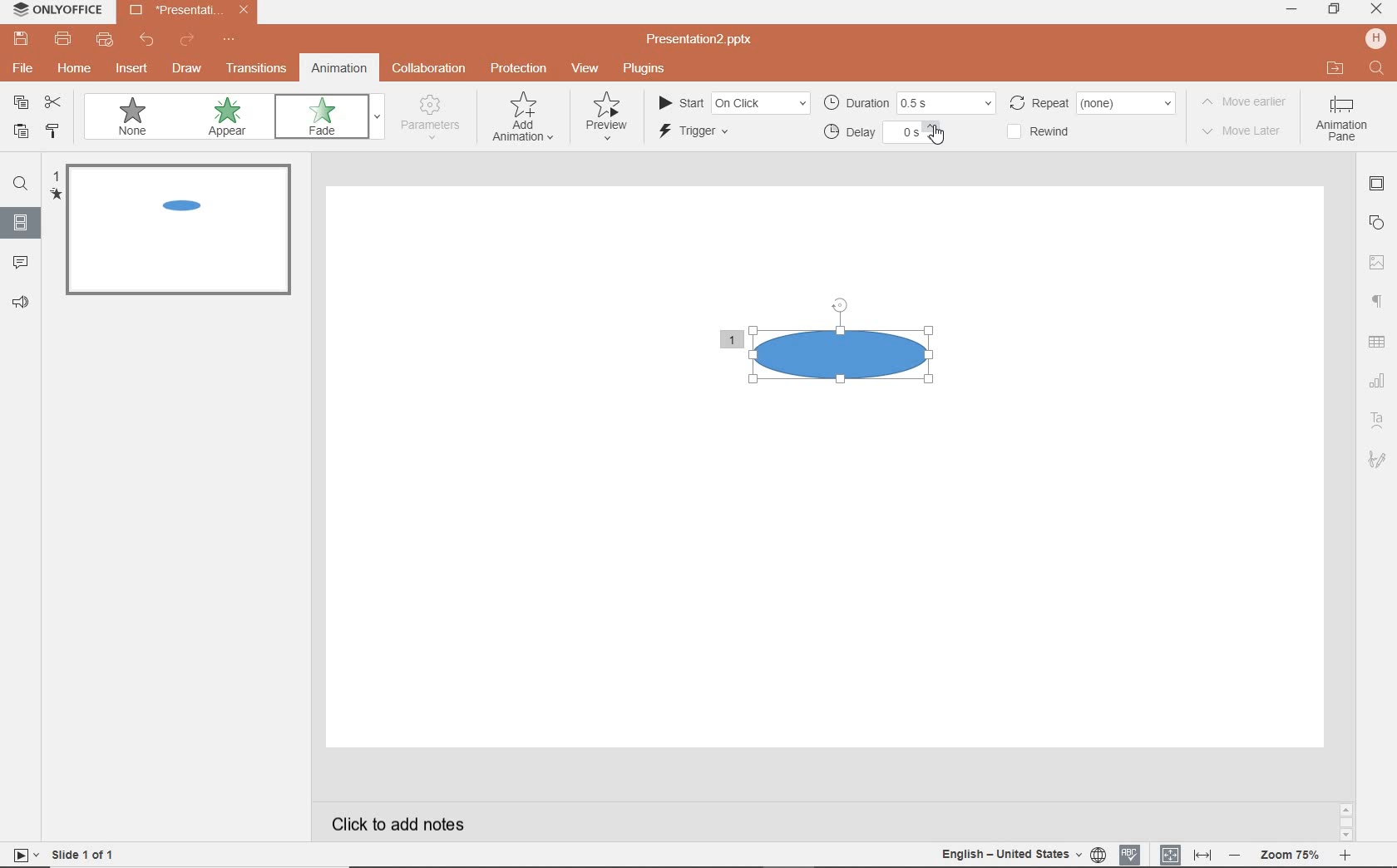 The width and height of the screenshot is (1397, 868). Describe the element at coordinates (733, 104) in the screenshot. I see `start` at that location.